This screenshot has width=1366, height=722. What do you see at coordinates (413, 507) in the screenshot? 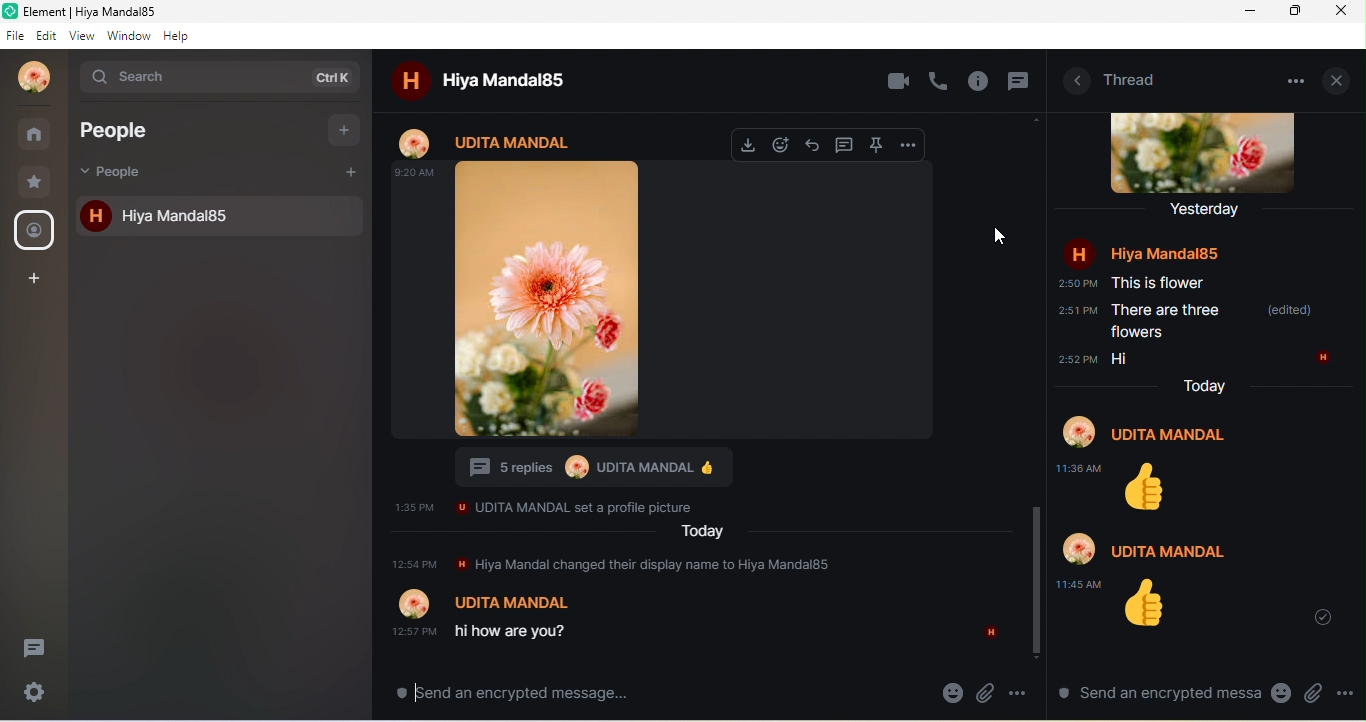
I see `1:35 PM` at bounding box center [413, 507].